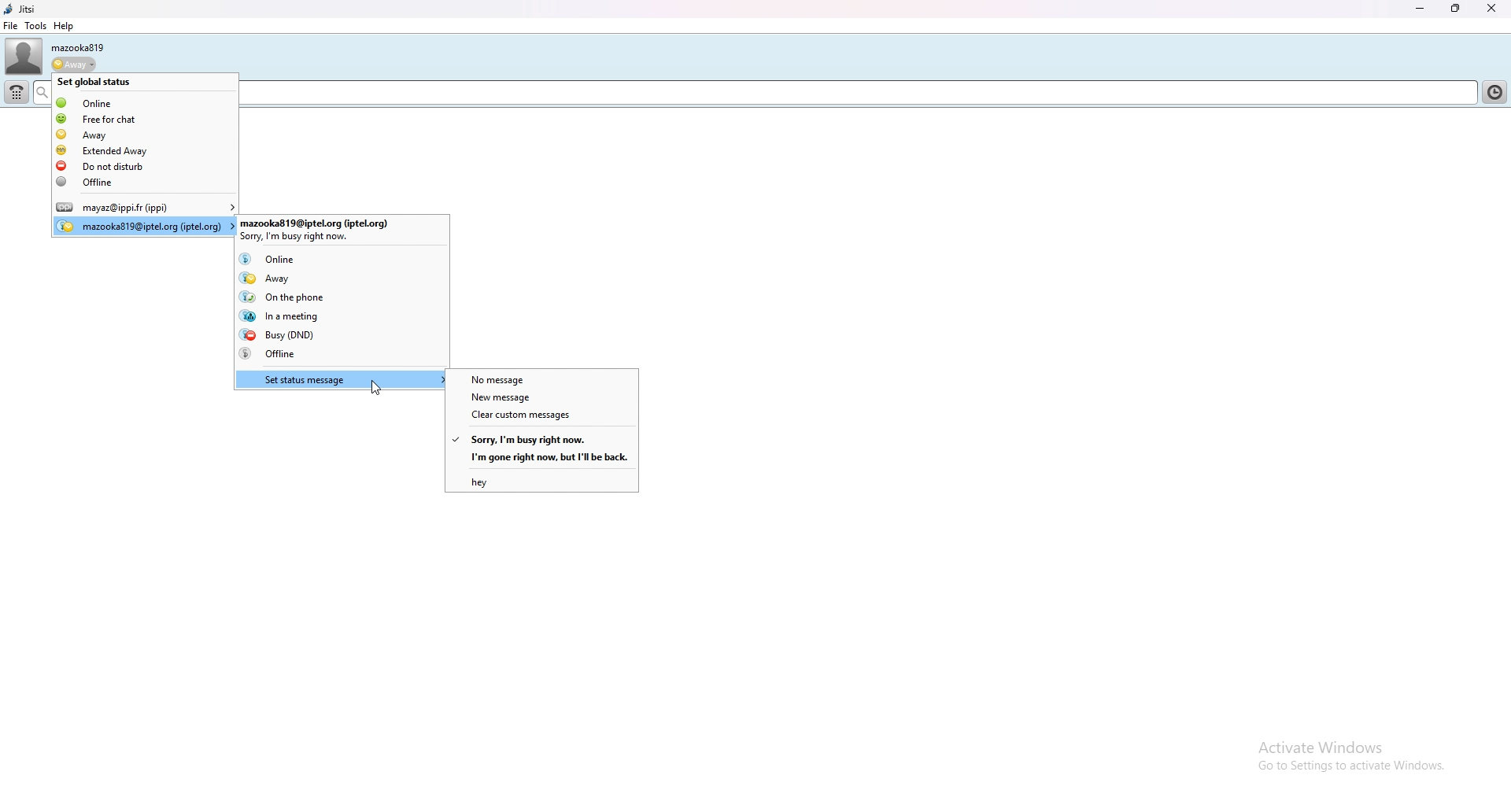 The height and width of the screenshot is (812, 1511). I want to click on file, so click(10, 26).